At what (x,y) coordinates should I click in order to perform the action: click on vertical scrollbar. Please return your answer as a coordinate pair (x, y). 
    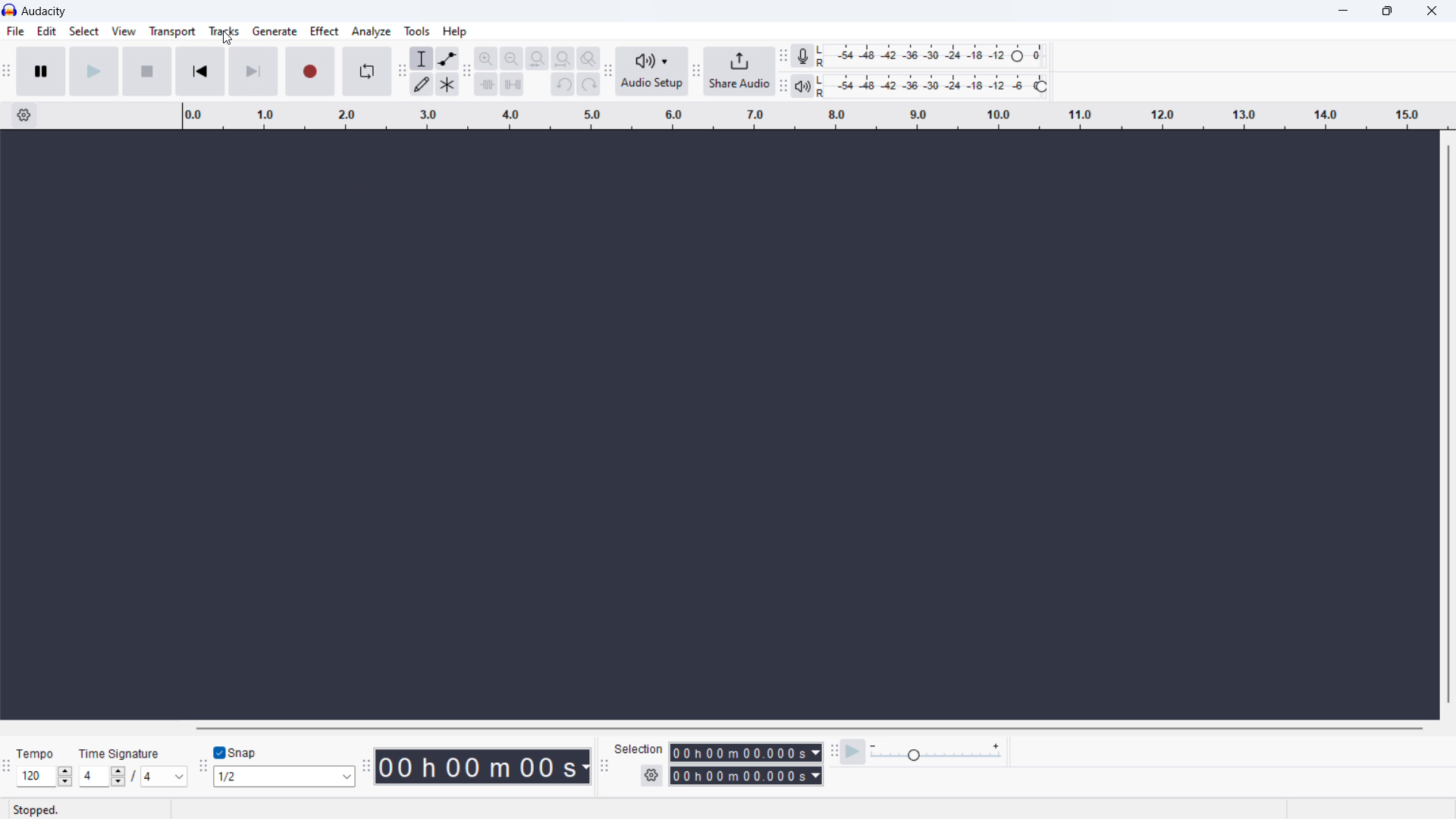
    Looking at the image, I should click on (1449, 424).